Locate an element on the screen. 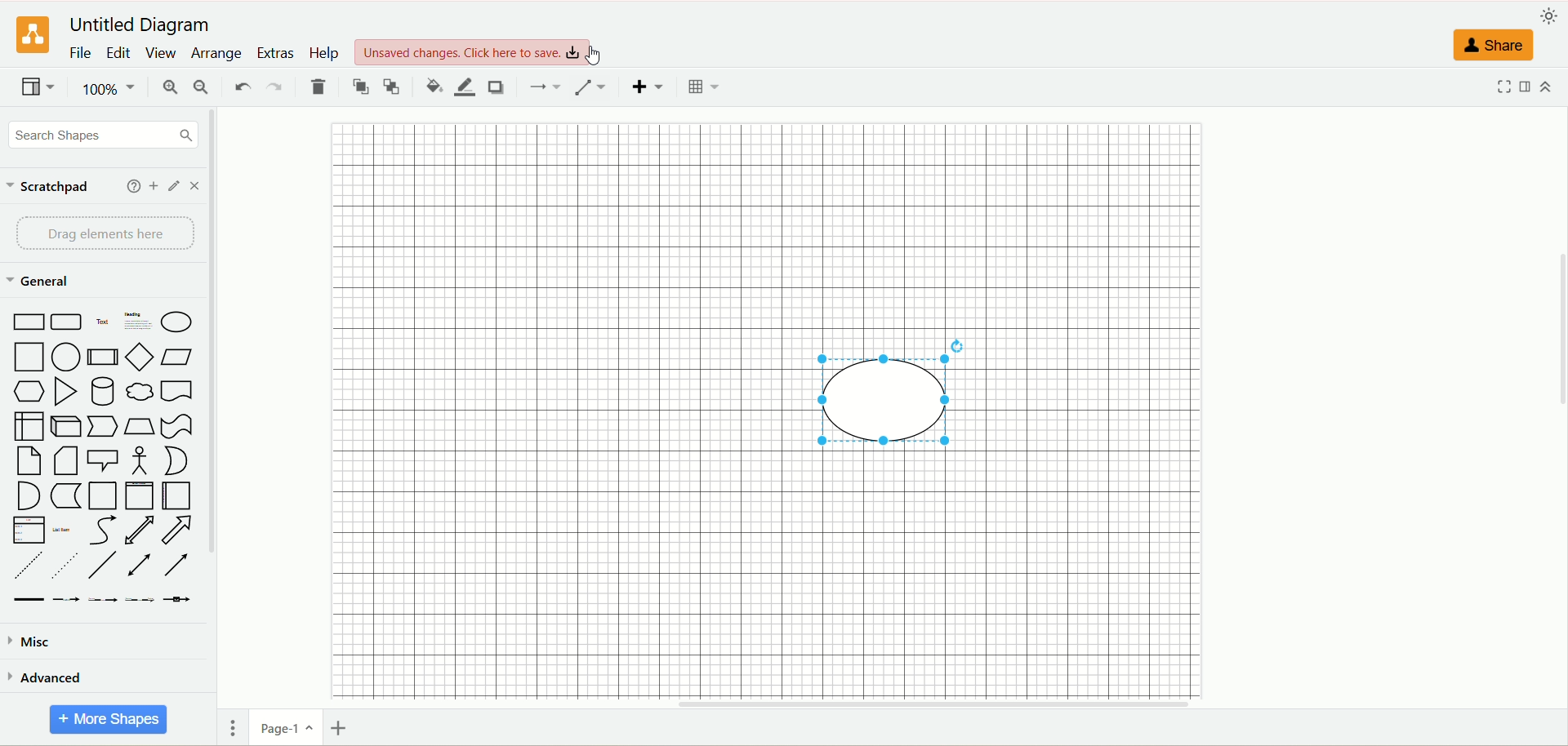  process is located at coordinates (103, 357).